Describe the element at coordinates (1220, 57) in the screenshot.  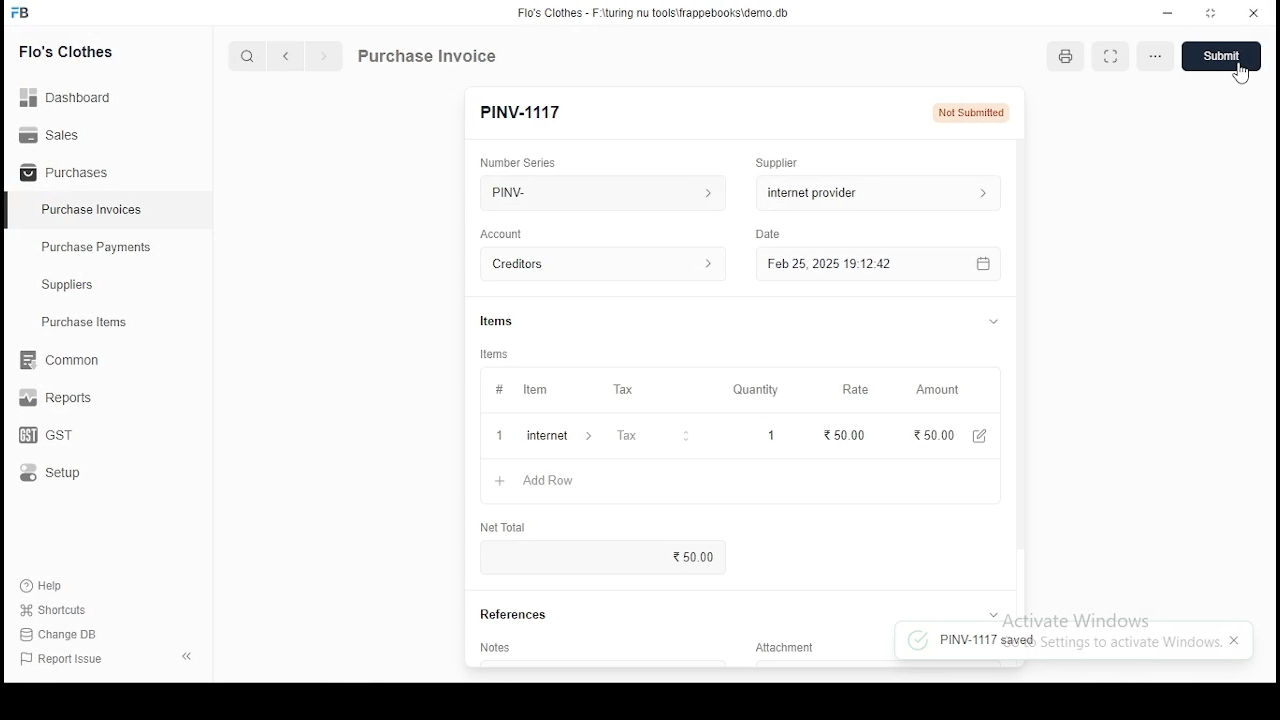
I see `submit` at that location.